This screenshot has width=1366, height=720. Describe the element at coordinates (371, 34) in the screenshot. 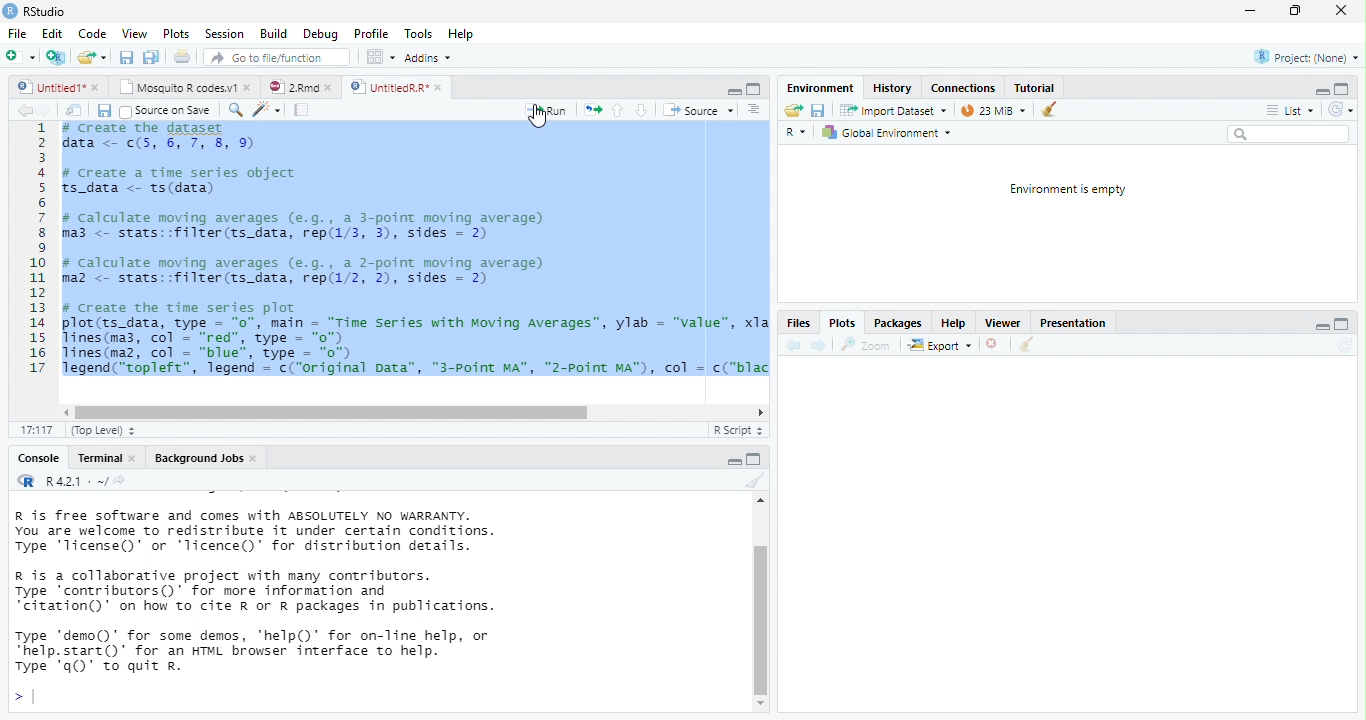

I see `Profile` at that location.